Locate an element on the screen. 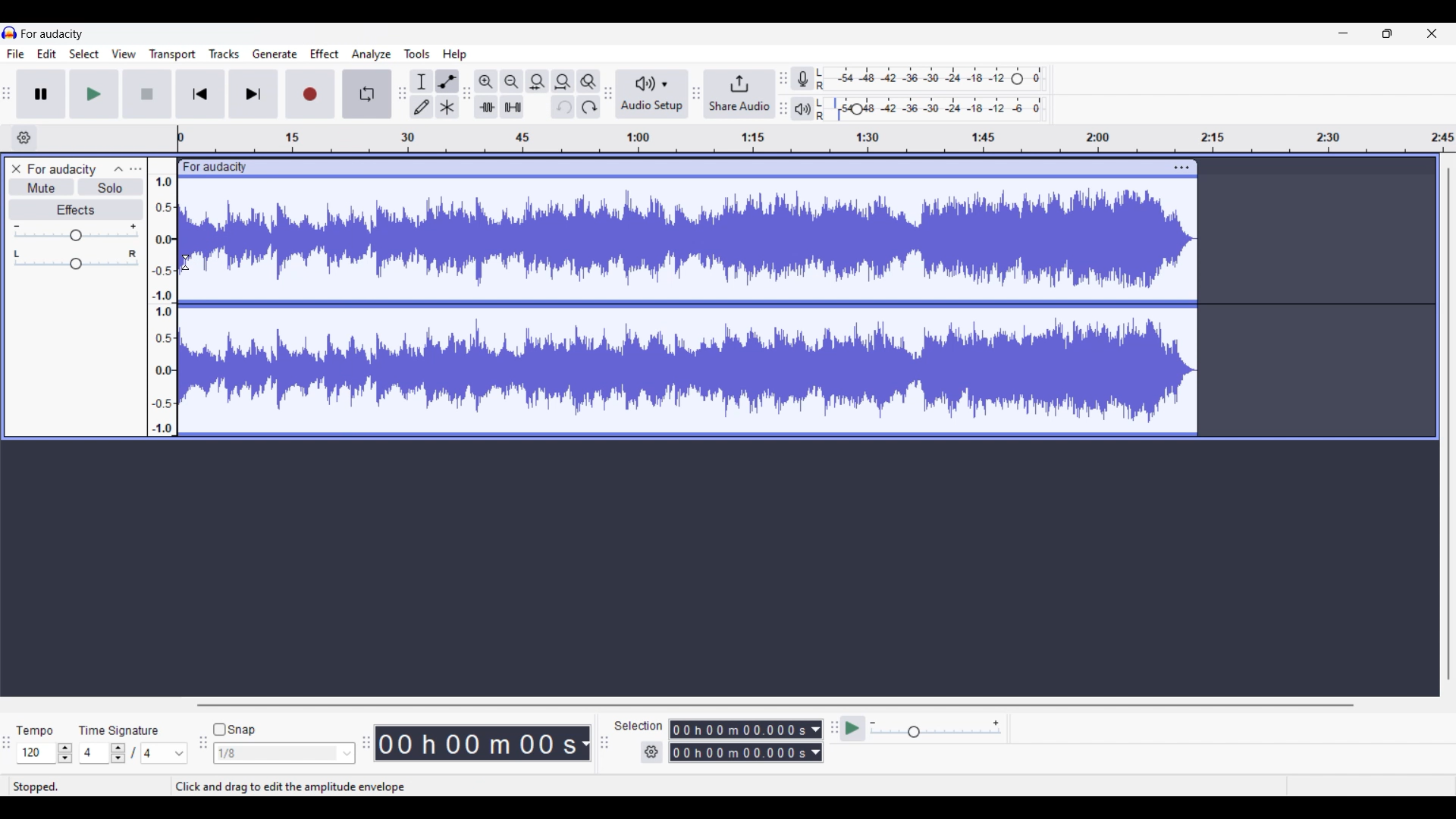  selection is located at coordinates (638, 725).